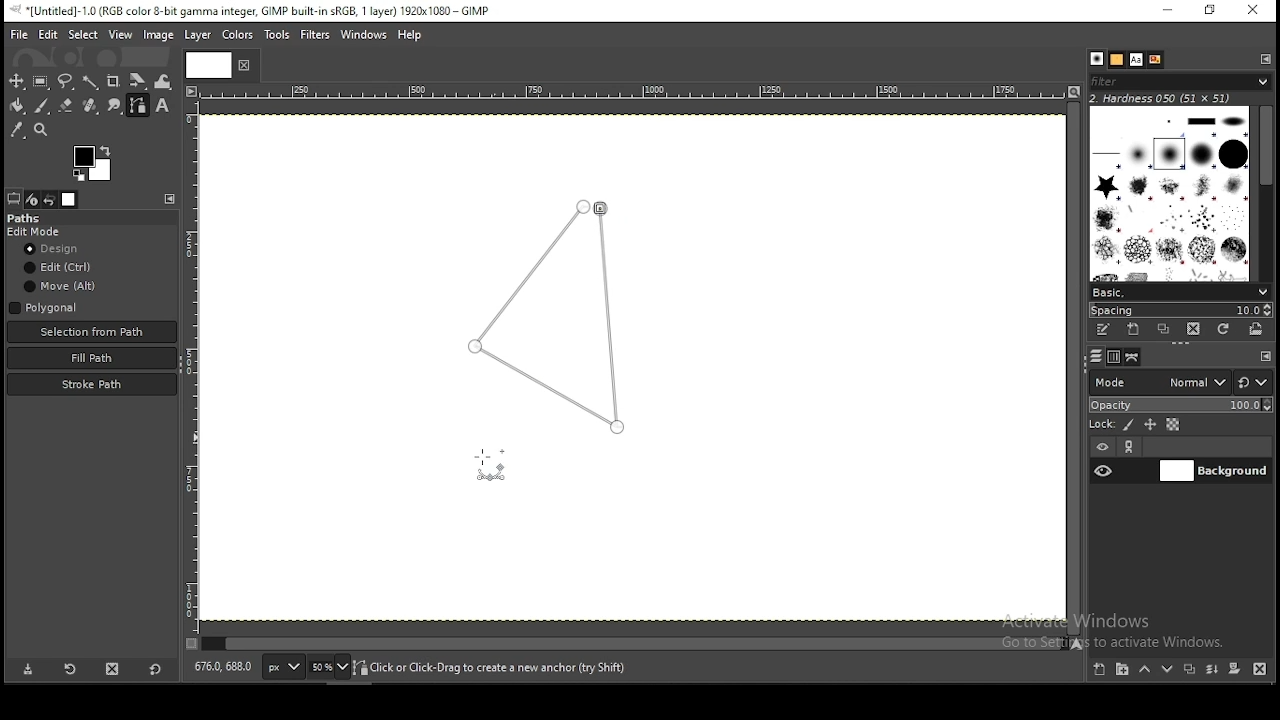 This screenshot has width=1280, height=720. What do you see at coordinates (631, 94) in the screenshot?
I see `horizontal scale` at bounding box center [631, 94].